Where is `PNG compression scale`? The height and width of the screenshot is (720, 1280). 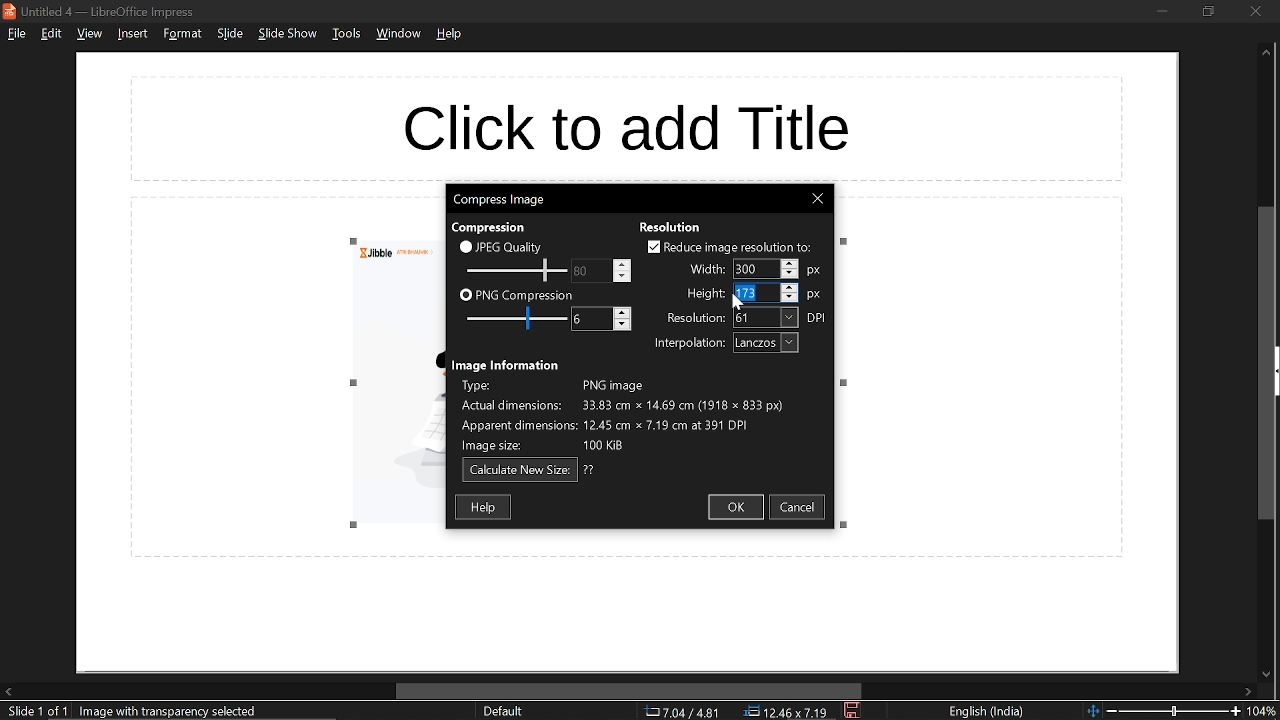
PNG compression scale is located at coordinates (513, 318).